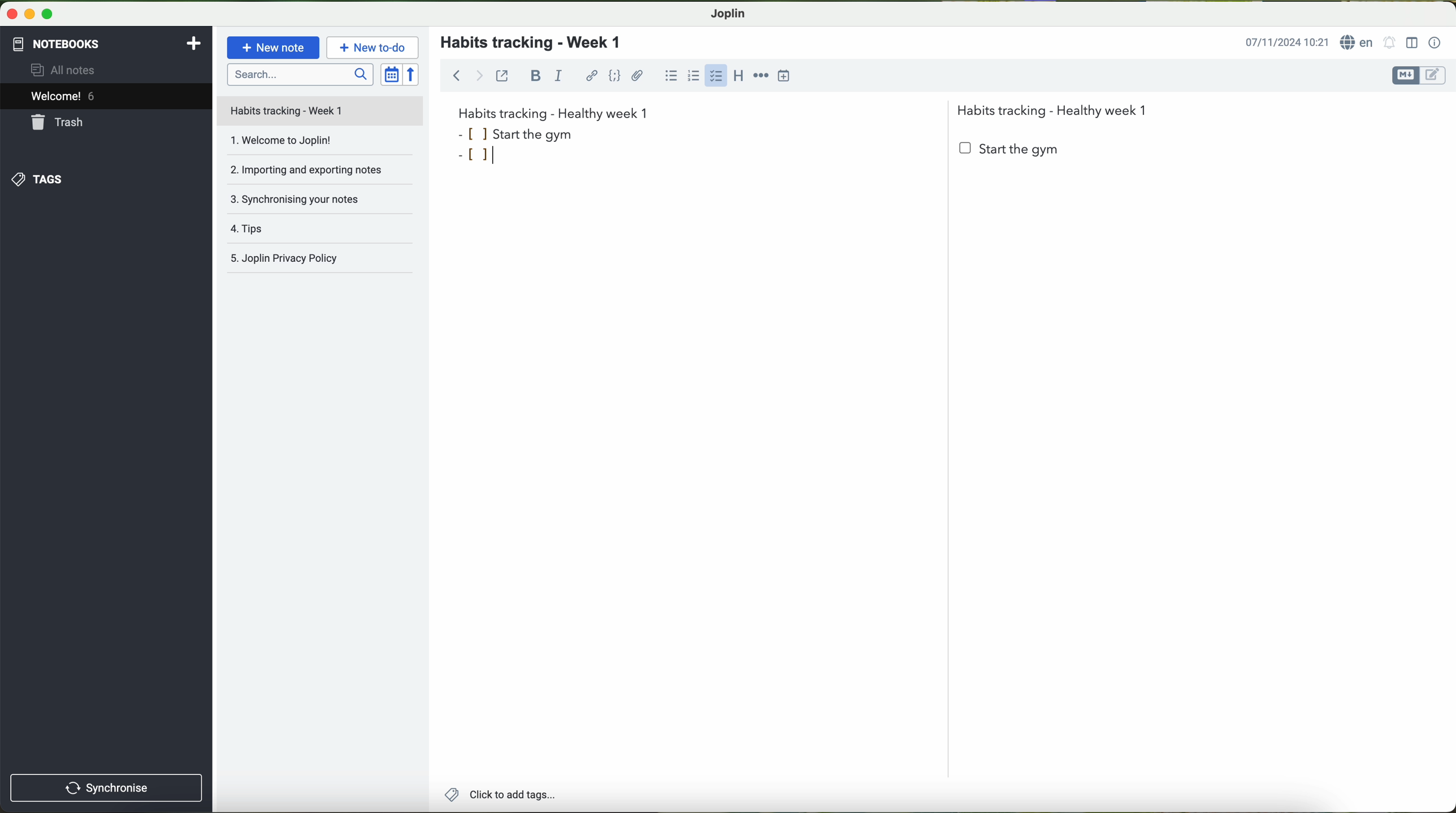  What do you see at coordinates (784, 76) in the screenshot?
I see `insert time` at bounding box center [784, 76].